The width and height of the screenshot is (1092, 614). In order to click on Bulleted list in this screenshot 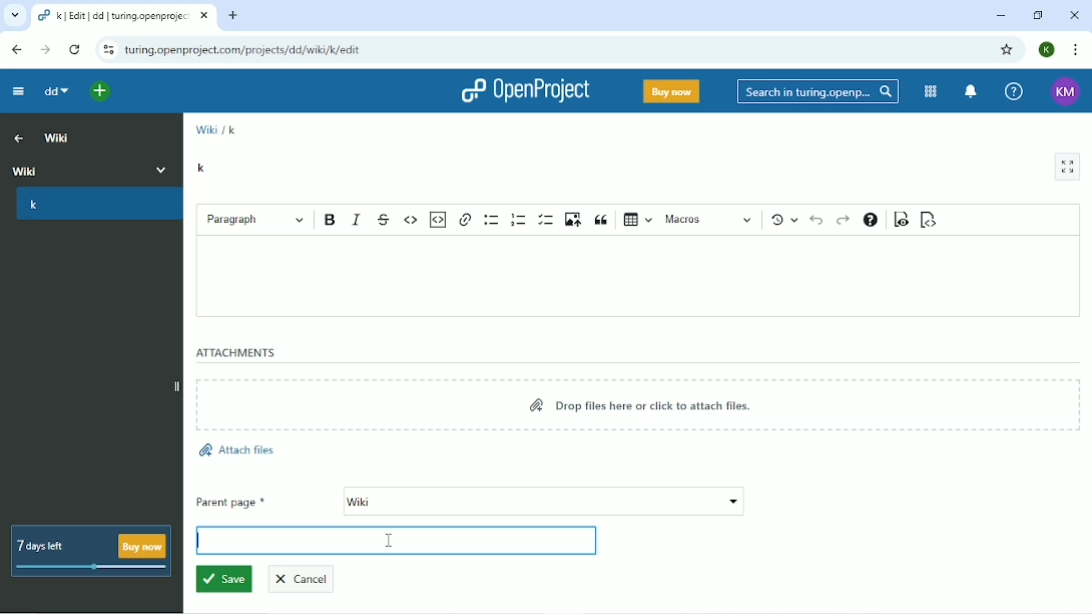, I will do `click(492, 219)`.